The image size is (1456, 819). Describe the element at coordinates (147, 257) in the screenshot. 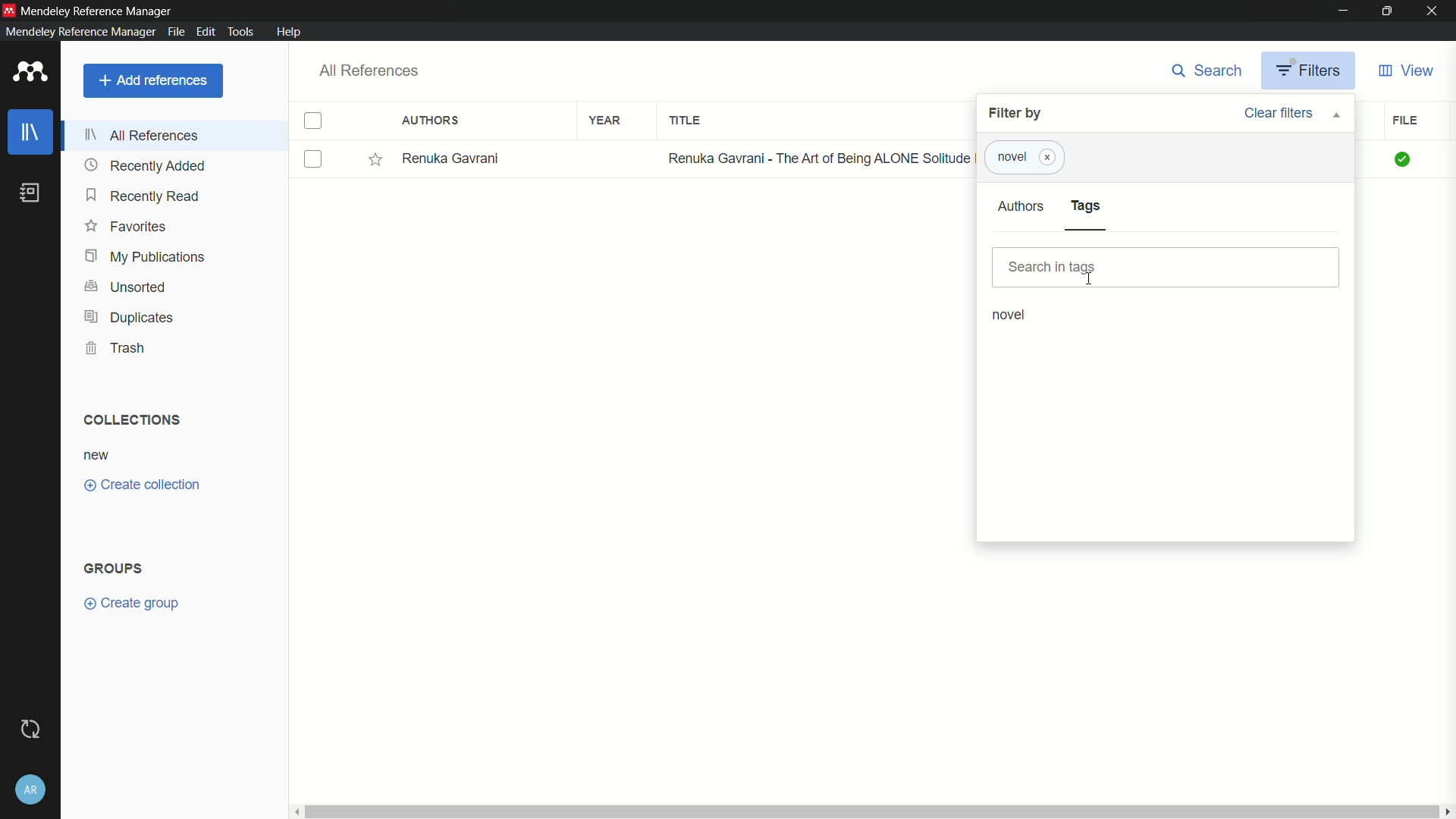

I see `my publications` at that location.